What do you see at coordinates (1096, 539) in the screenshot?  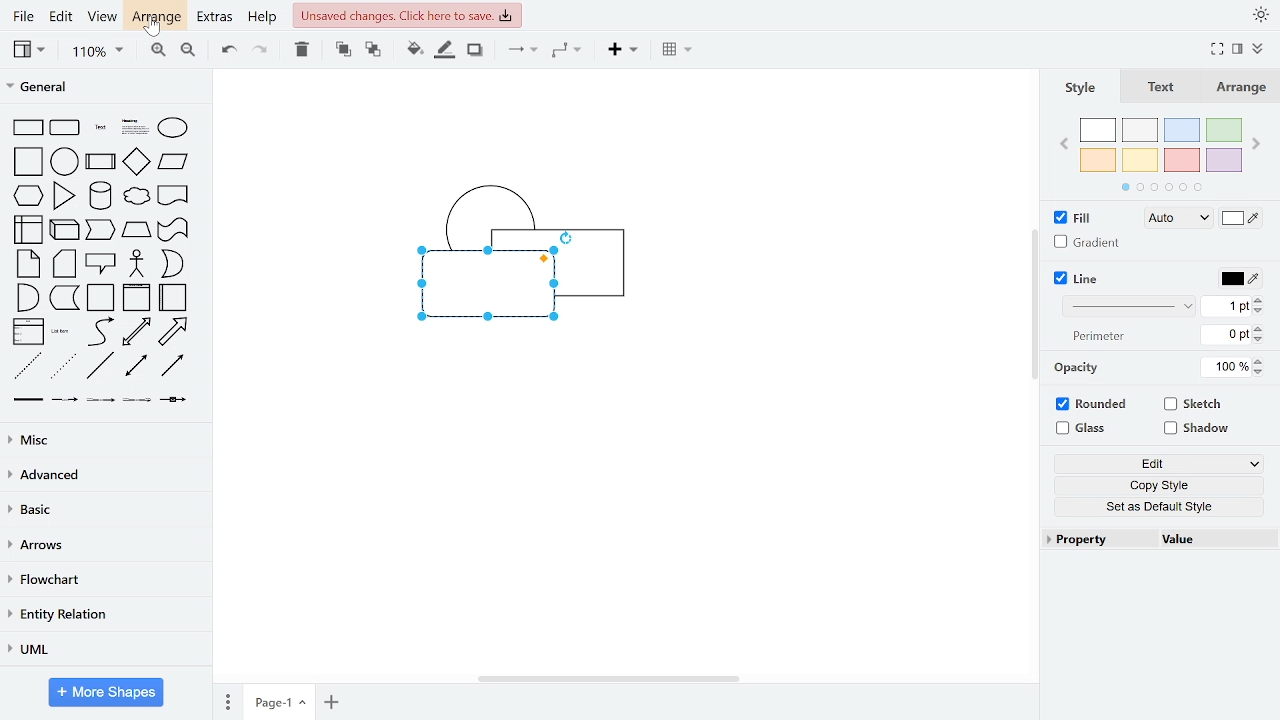 I see `property` at bounding box center [1096, 539].